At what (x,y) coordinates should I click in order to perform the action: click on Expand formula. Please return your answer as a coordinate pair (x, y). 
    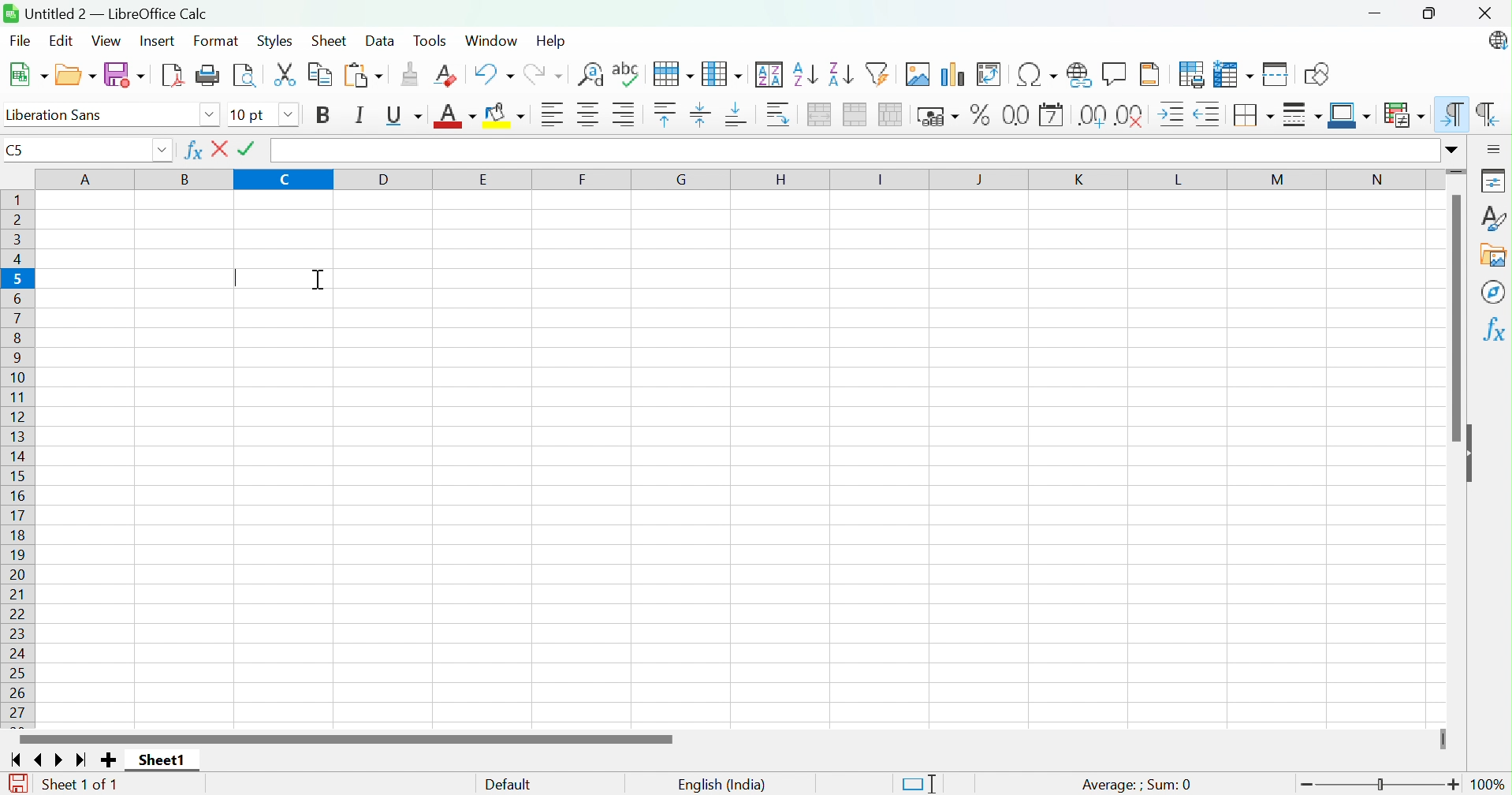
    Looking at the image, I should click on (1454, 149).